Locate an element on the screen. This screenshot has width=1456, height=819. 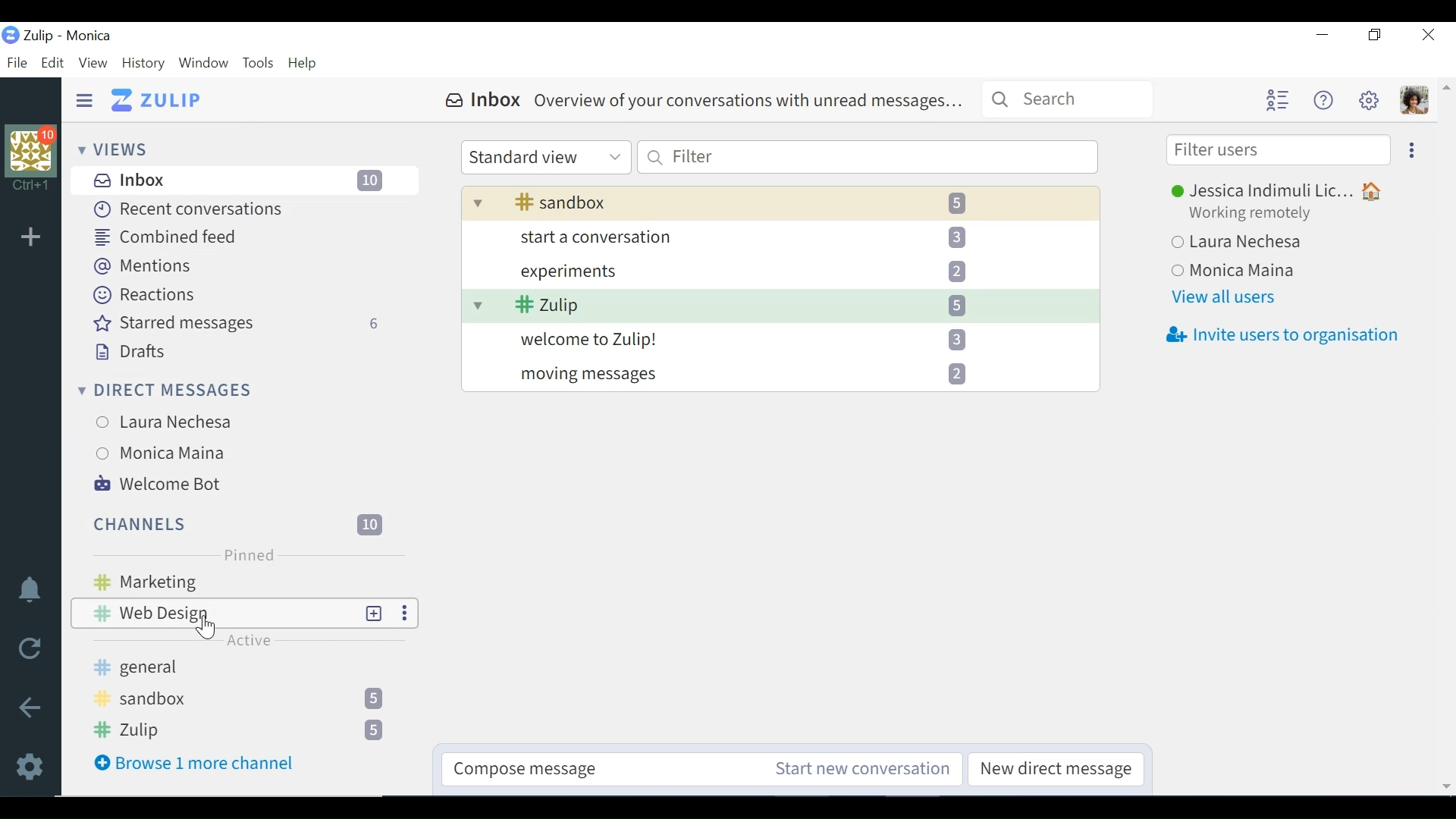
Inbox Overview of your conversations with unread messages is located at coordinates (700, 101).